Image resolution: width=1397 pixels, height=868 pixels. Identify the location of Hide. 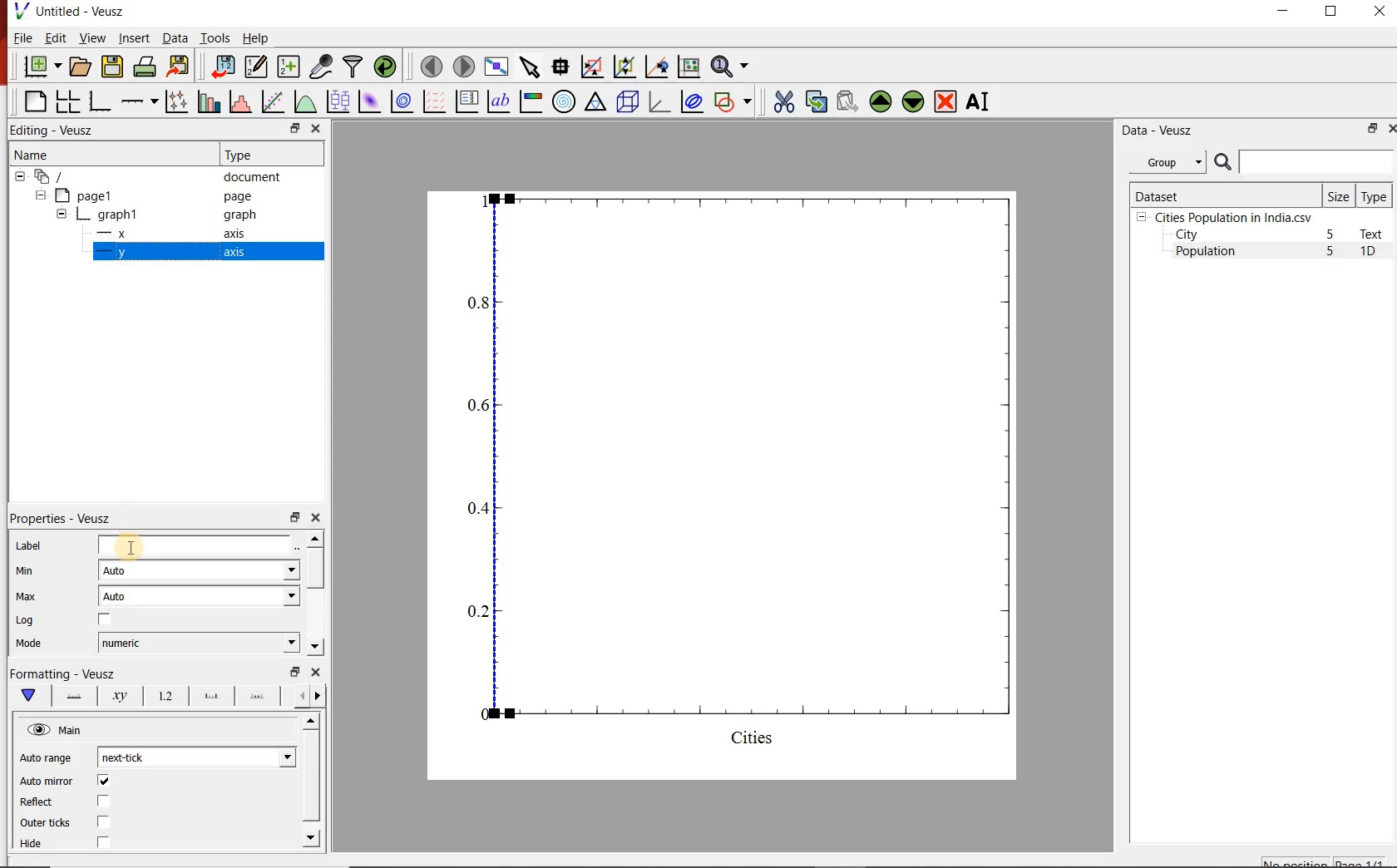
(39, 847).